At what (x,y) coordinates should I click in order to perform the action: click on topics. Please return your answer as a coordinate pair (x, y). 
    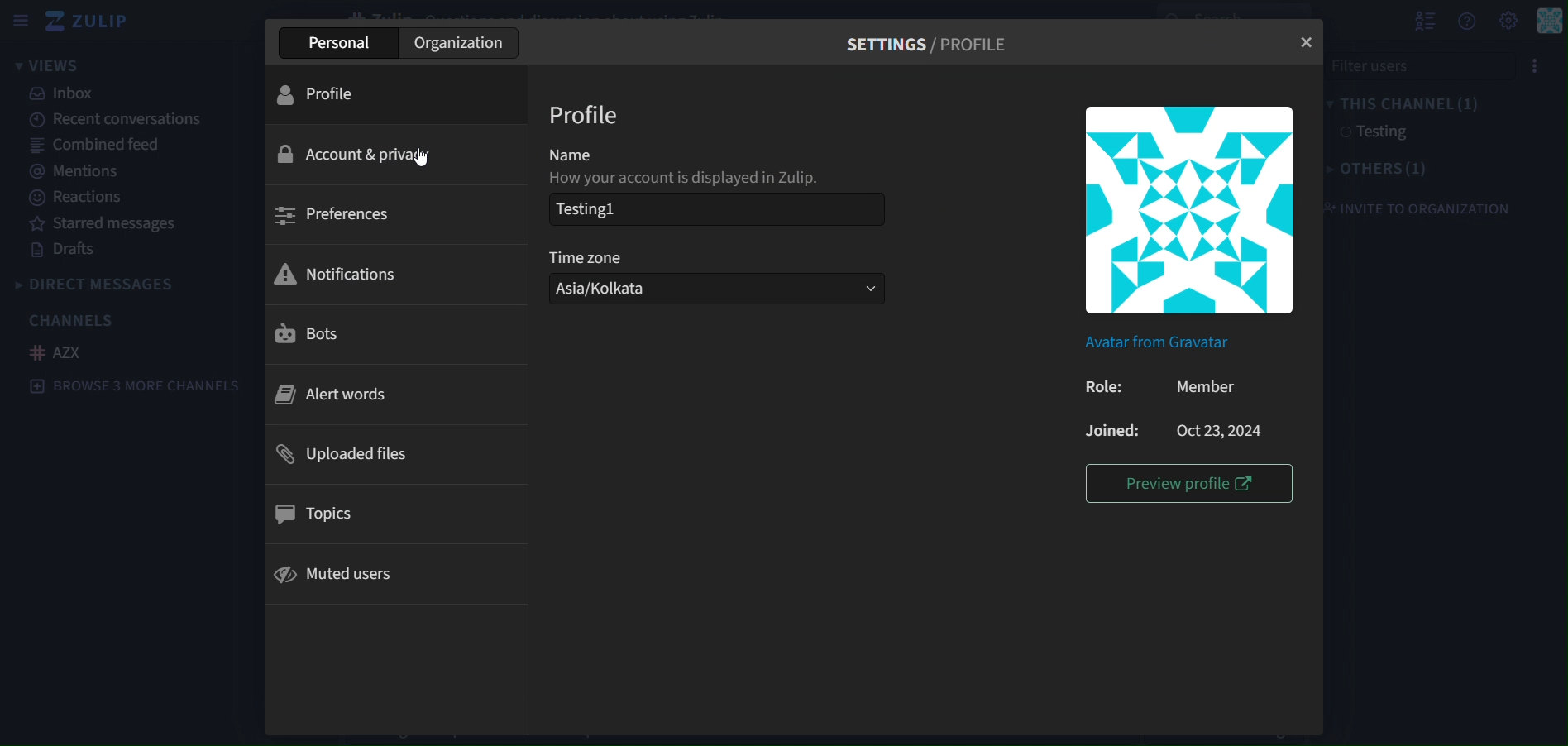
    Looking at the image, I should click on (319, 513).